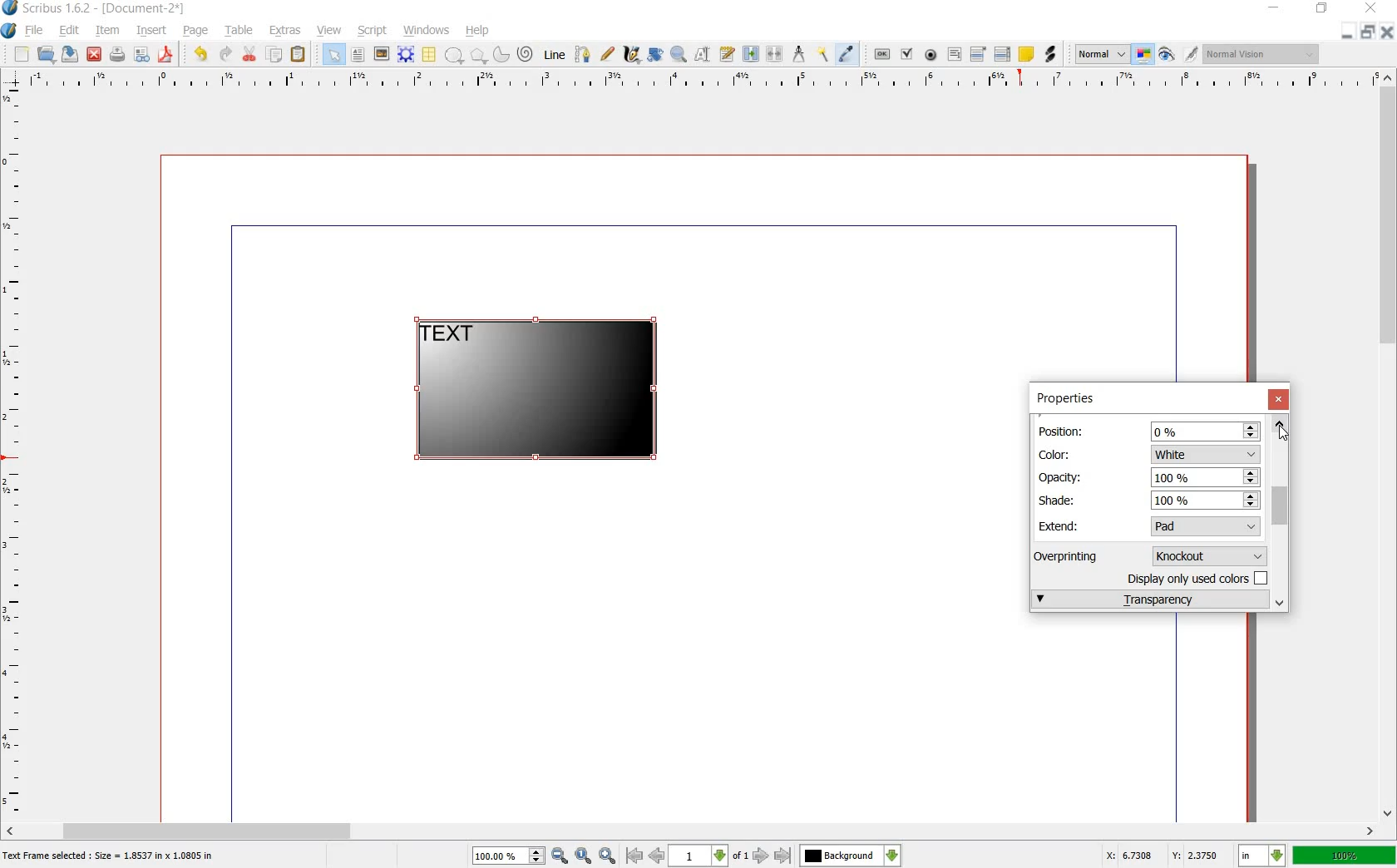 This screenshot has height=868, width=1397. Describe the element at coordinates (357, 55) in the screenshot. I see `text frame` at that location.